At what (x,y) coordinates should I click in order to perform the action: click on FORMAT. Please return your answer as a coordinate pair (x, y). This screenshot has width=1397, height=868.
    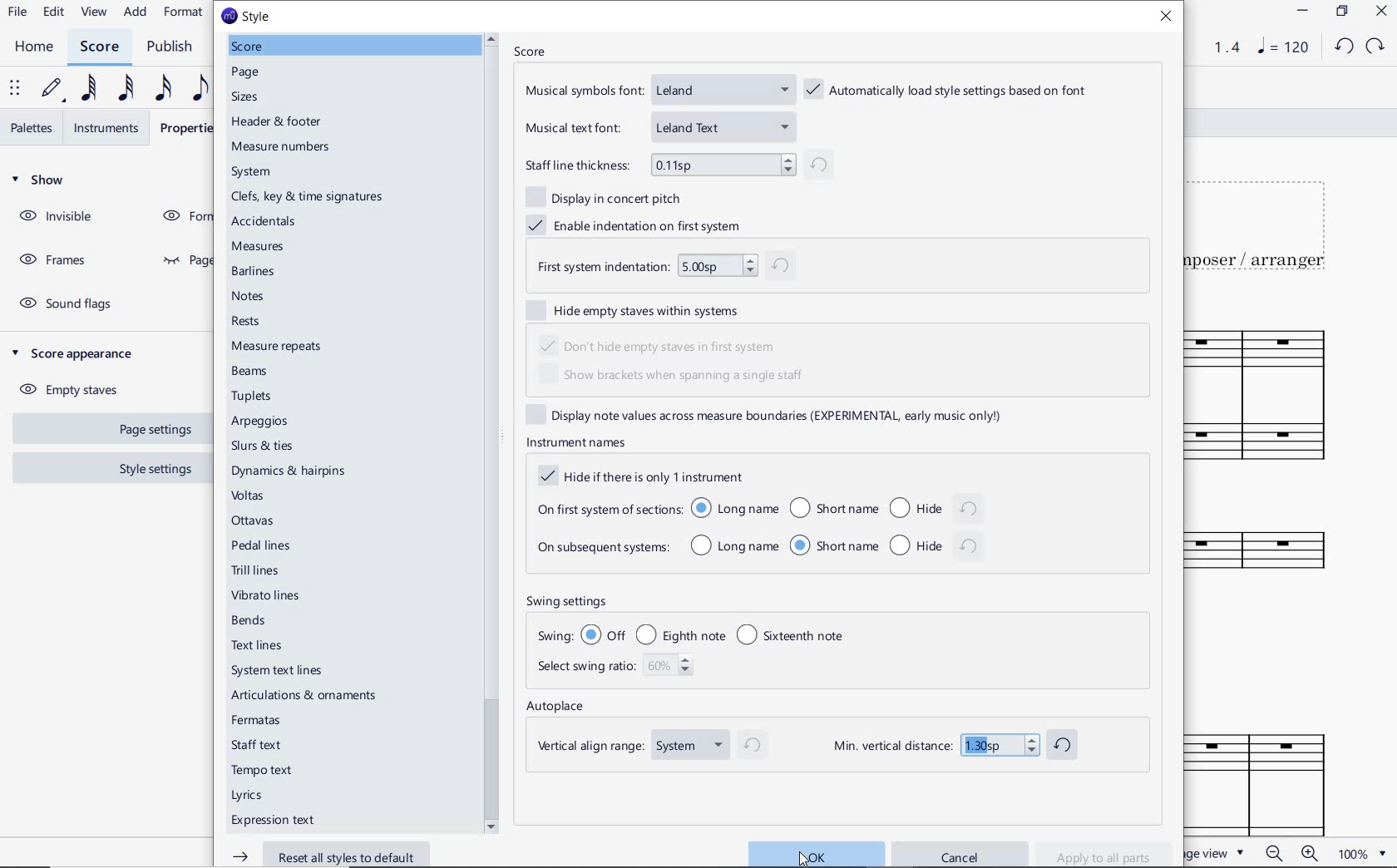
    Looking at the image, I should click on (185, 13).